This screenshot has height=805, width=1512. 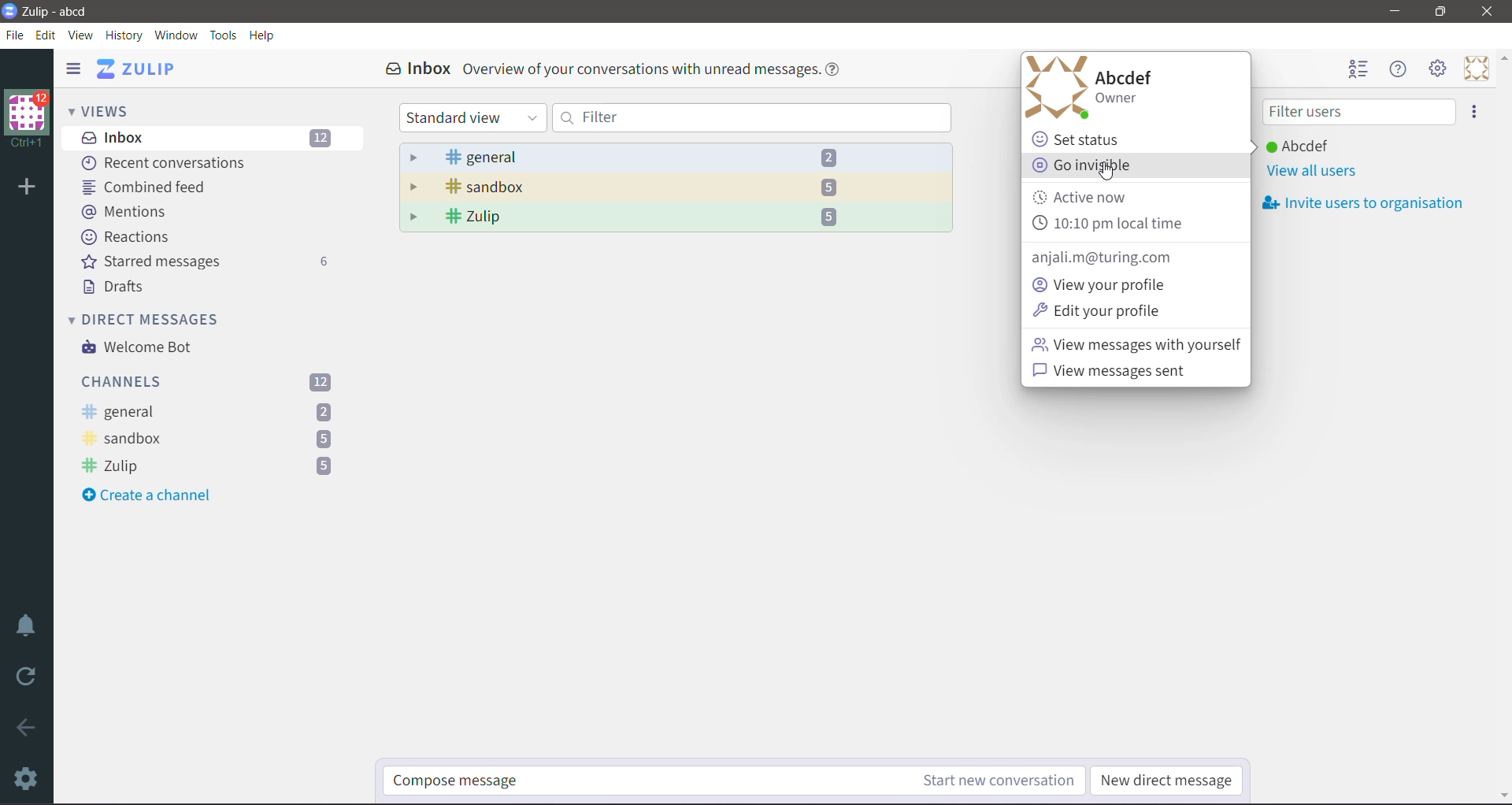 What do you see at coordinates (1086, 195) in the screenshot?
I see `Active now` at bounding box center [1086, 195].